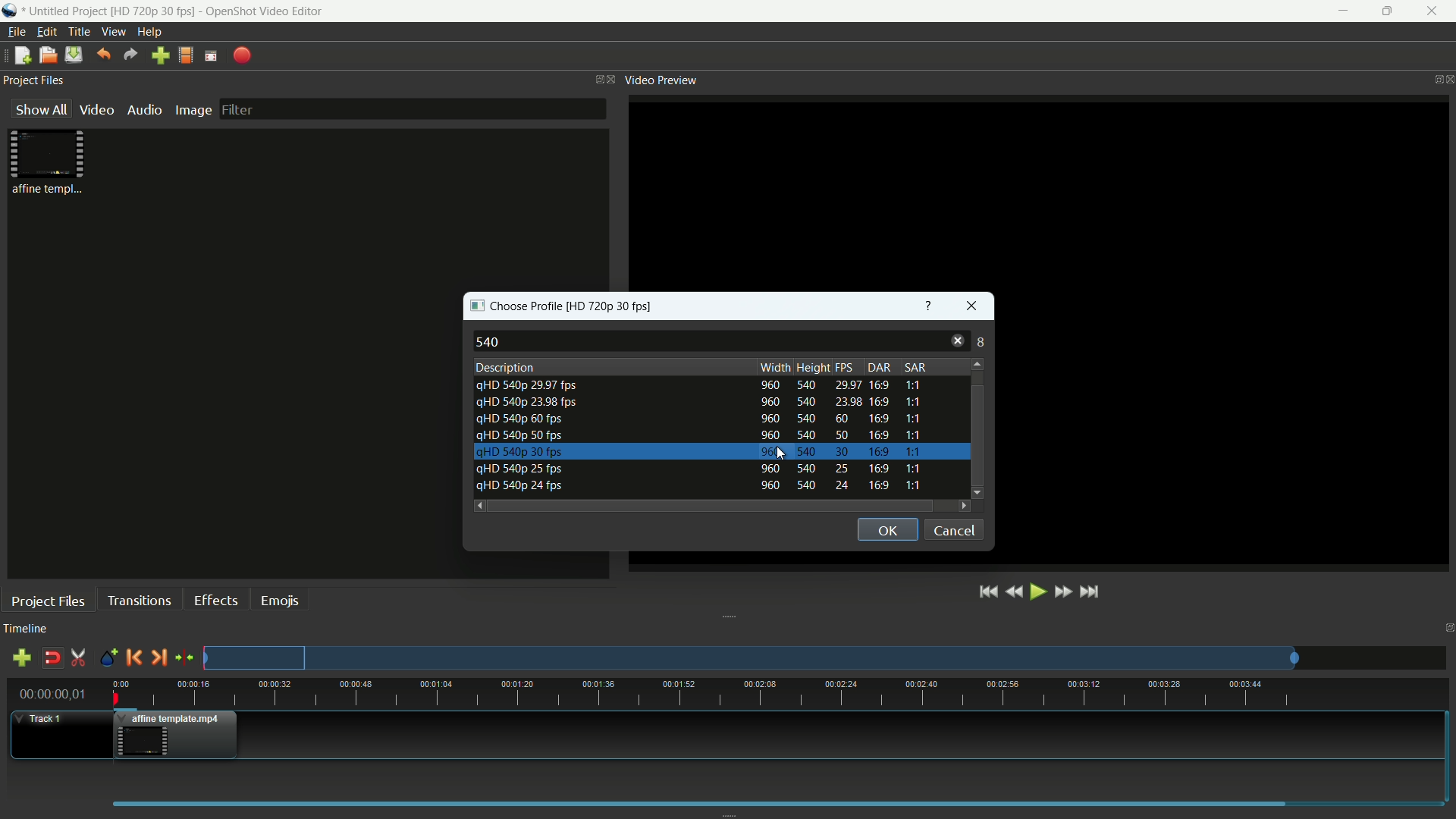  I want to click on profile-7, so click(701, 485).